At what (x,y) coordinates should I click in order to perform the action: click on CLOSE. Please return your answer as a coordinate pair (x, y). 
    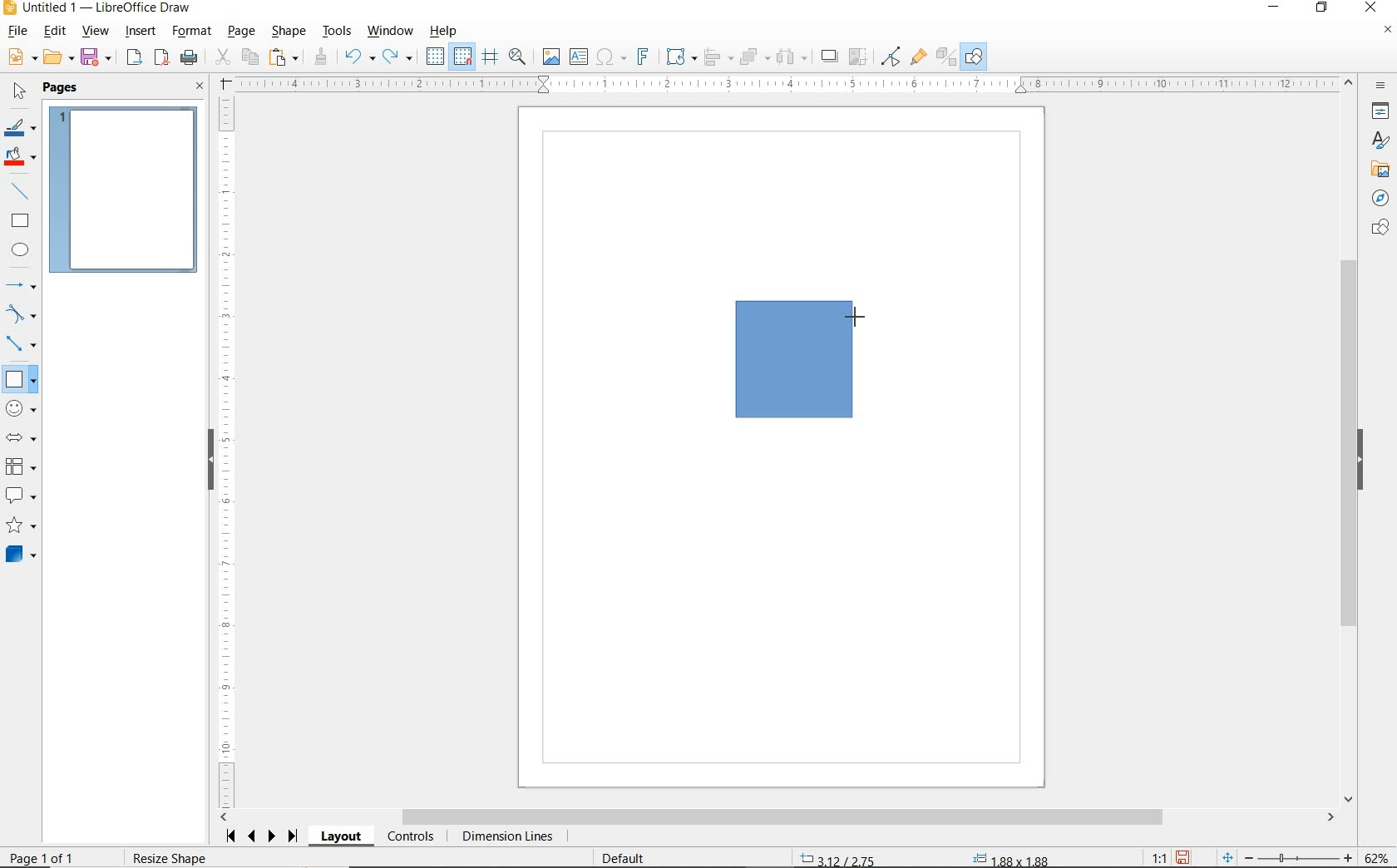
    Looking at the image, I should click on (200, 87).